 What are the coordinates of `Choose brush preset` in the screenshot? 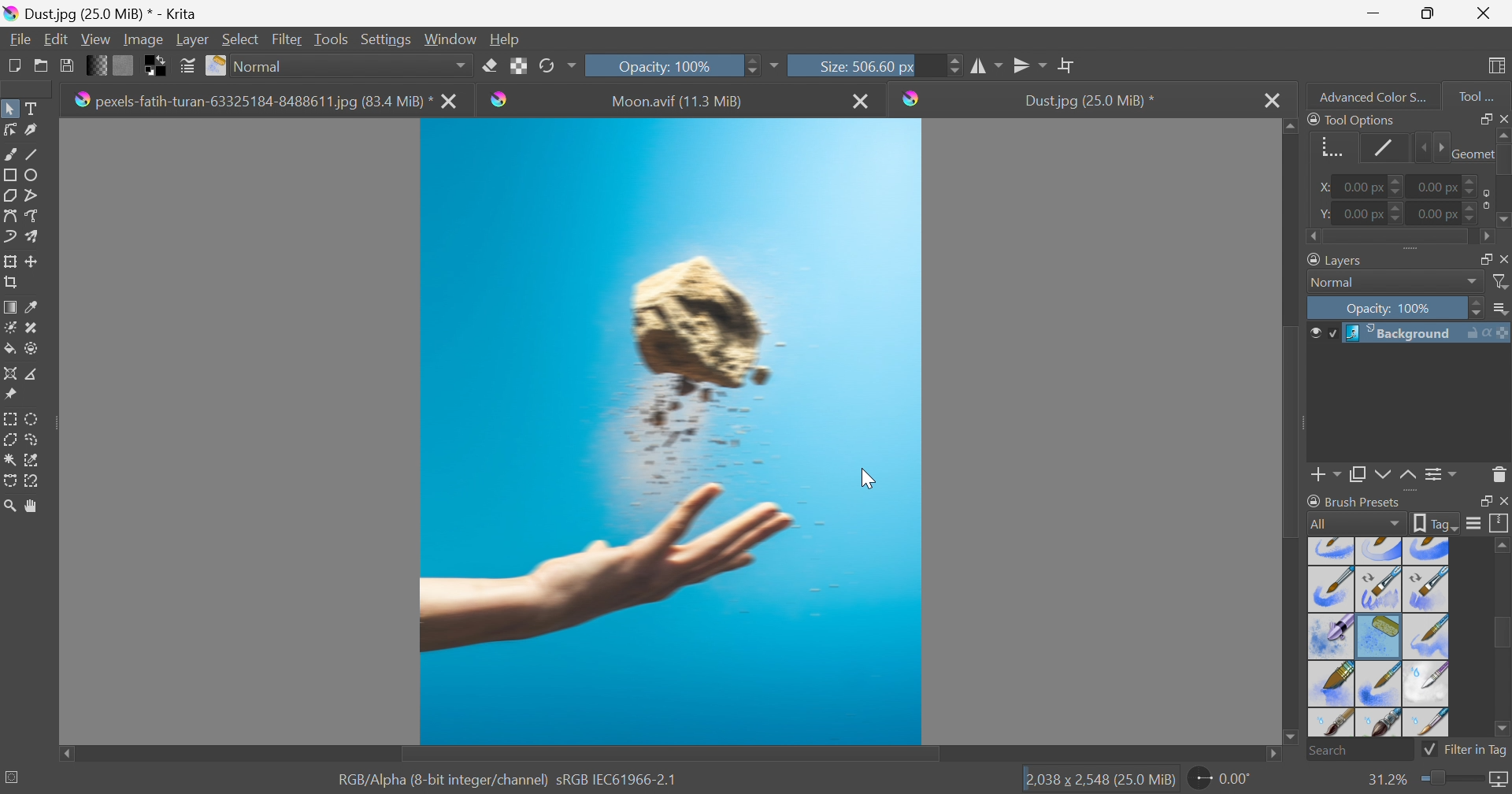 It's located at (217, 66).